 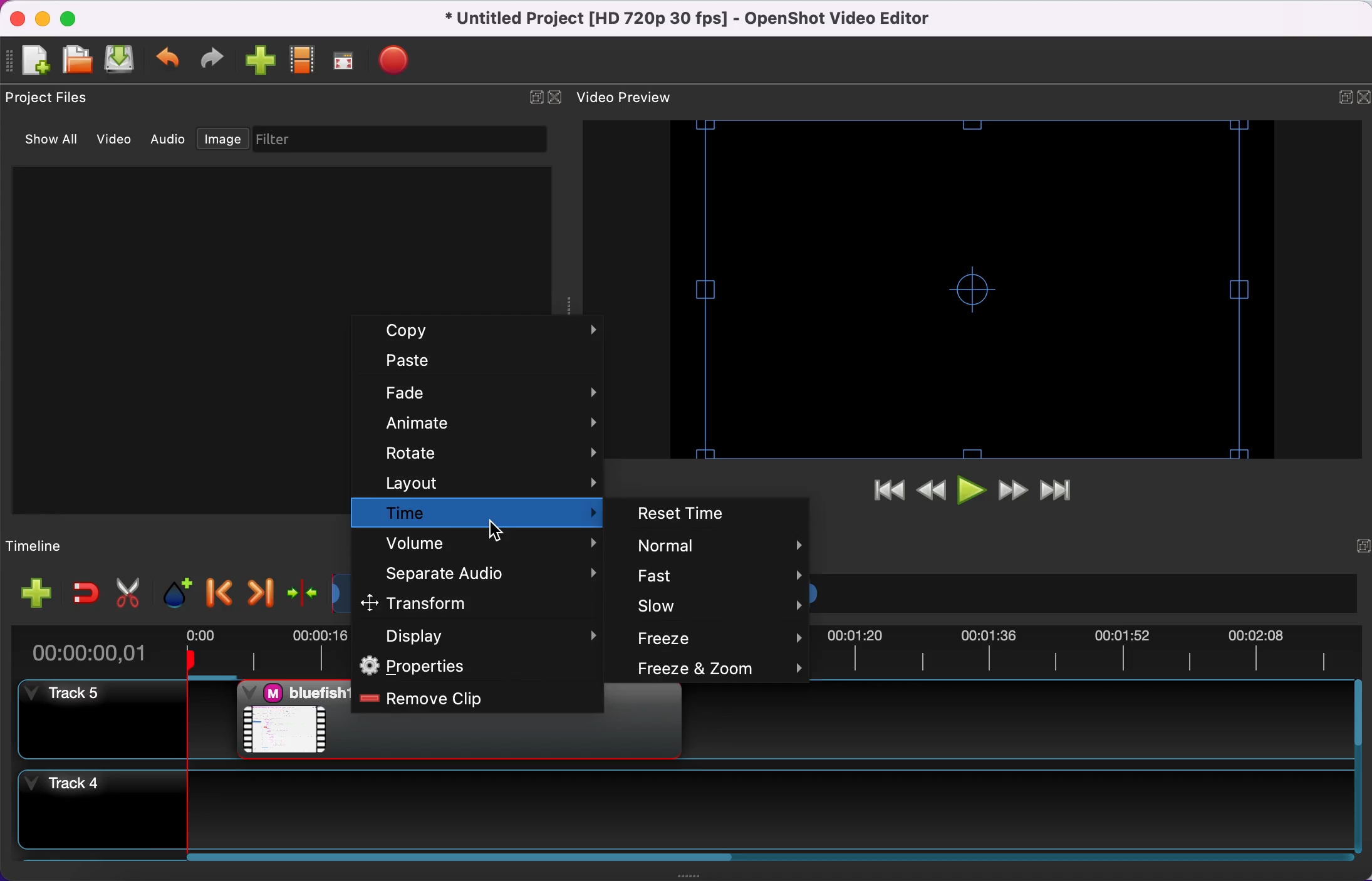 What do you see at coordinates (78, 61) in the screenshot?
I see `open file` at bounding box center [78, 61].